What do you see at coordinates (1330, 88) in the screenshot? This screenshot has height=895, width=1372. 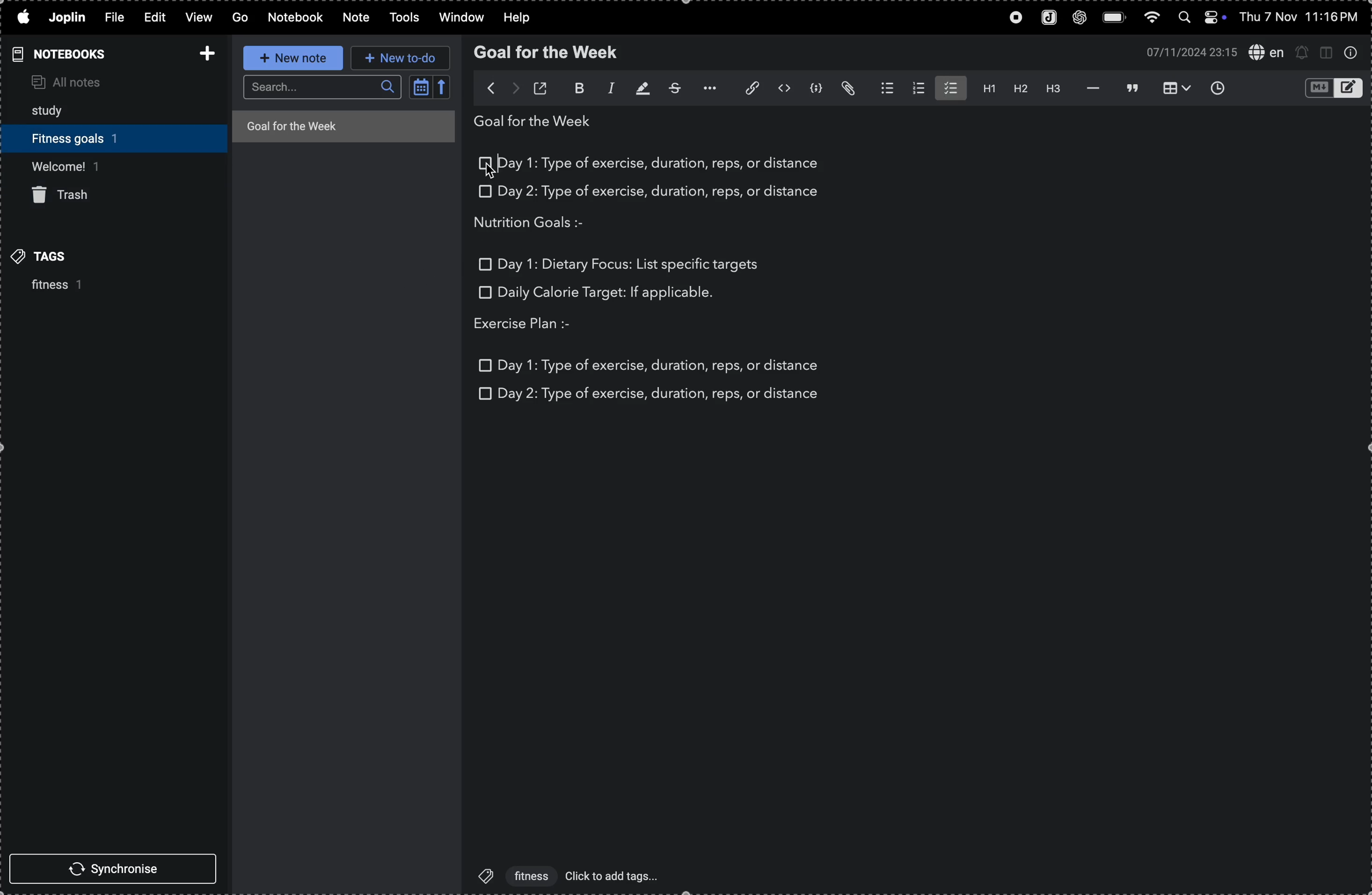 I see `toggle editors` at bounding box center [1330, 88].